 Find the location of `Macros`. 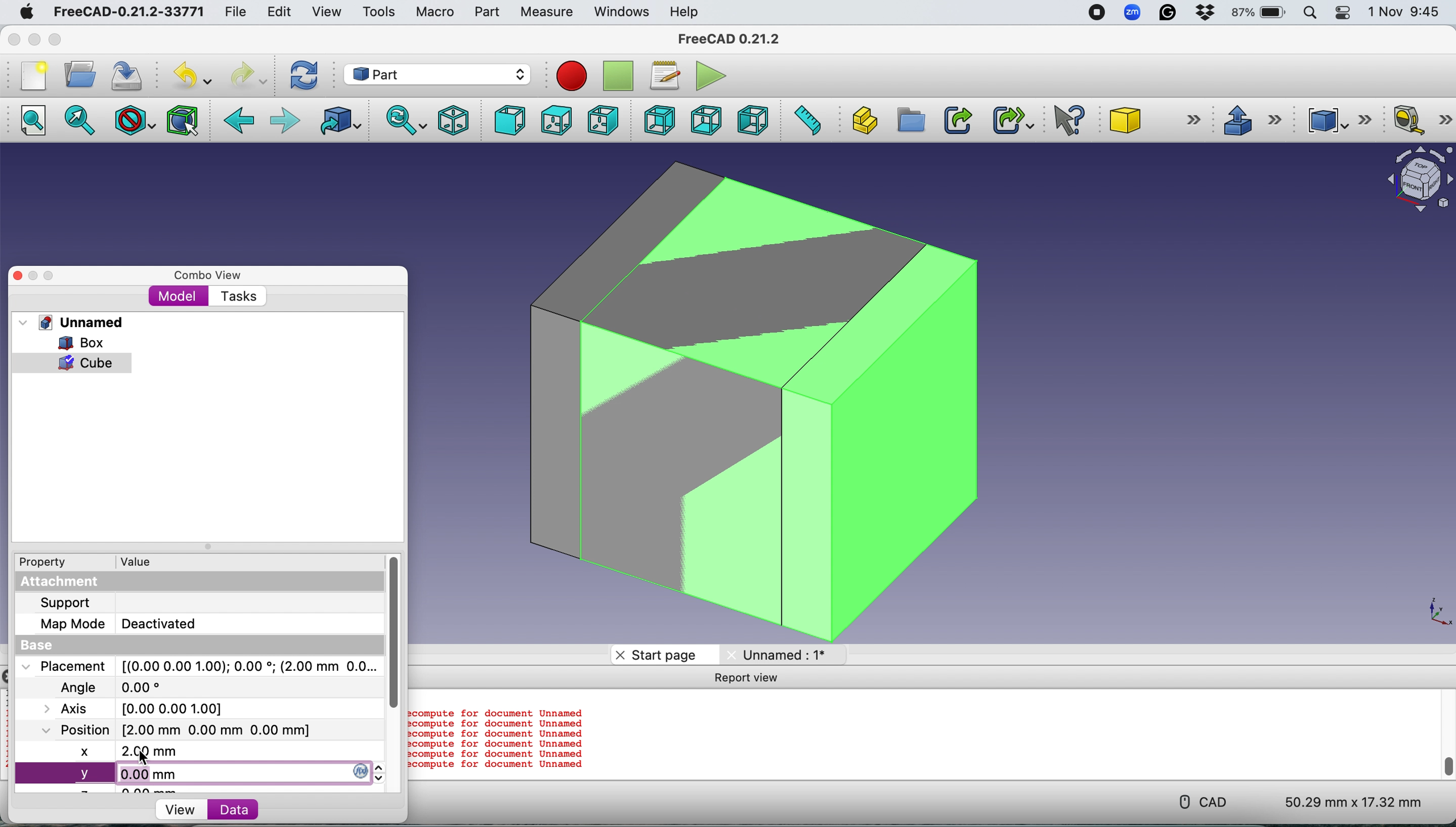

Macros is located at coordinates (668, 76).